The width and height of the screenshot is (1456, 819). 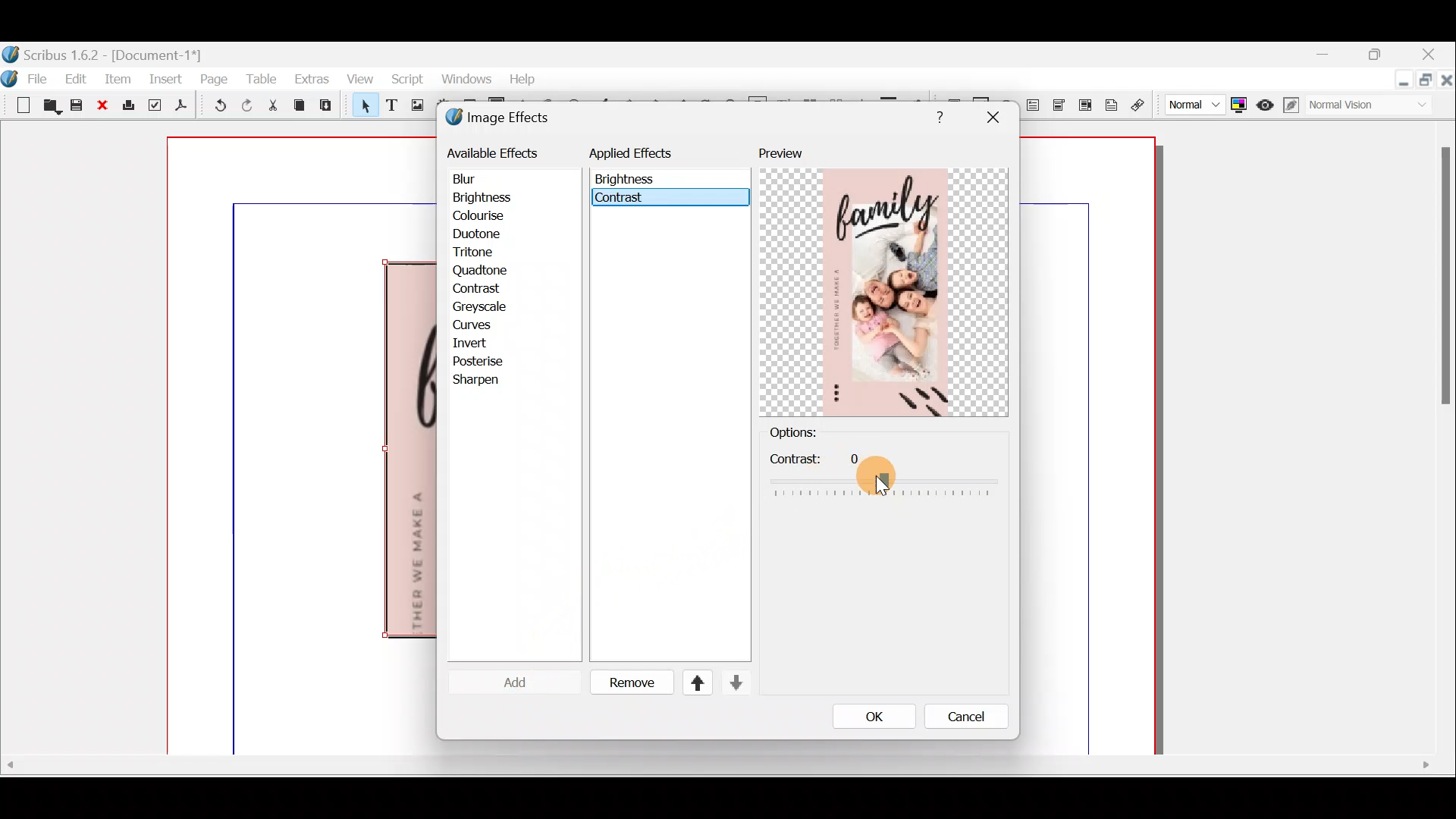 I want to click on Item, so click(x=118, y=78).